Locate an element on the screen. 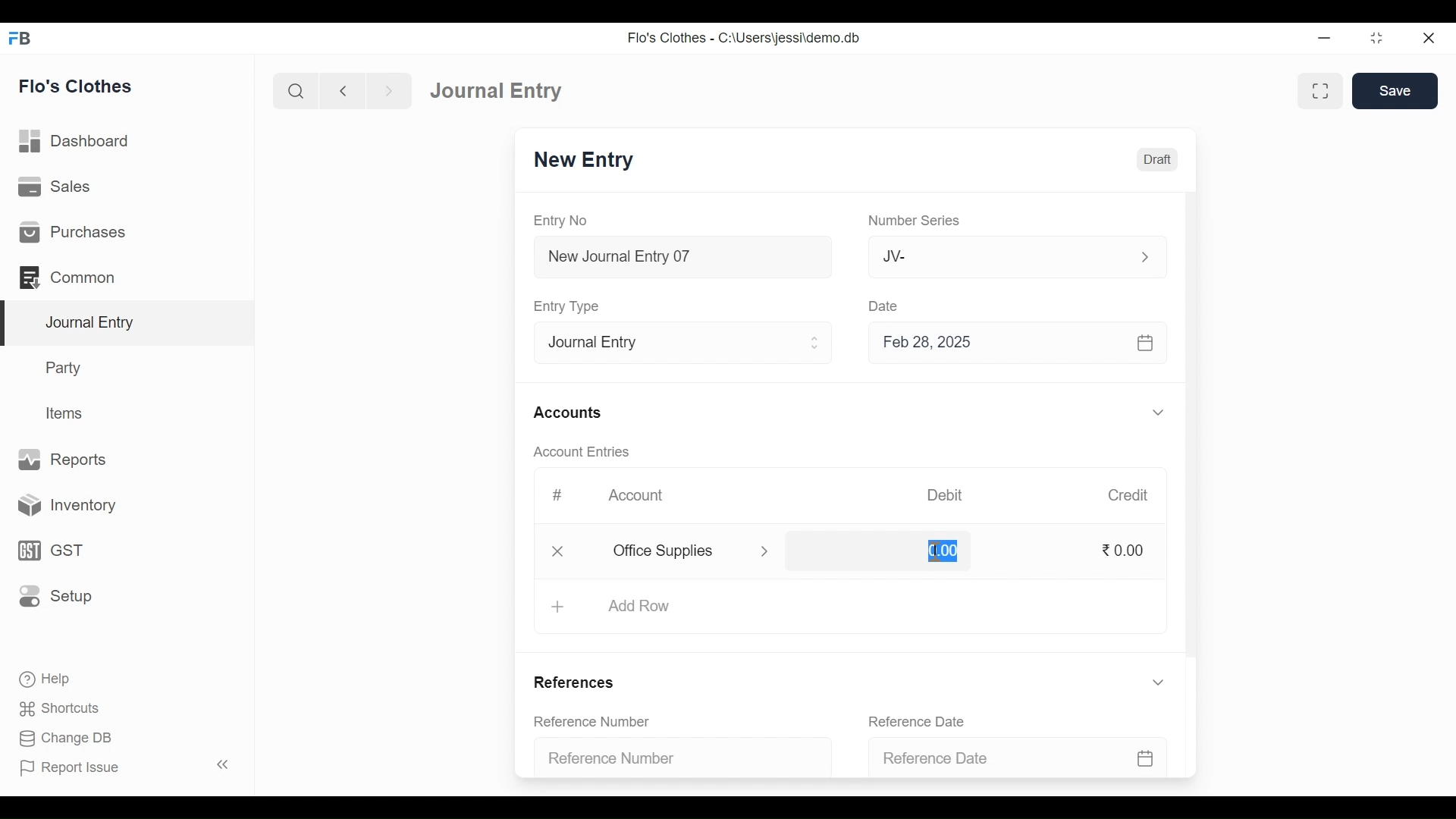 Image resolution: width=1456 pixels, height=819 pixels. Sales is located at coordinates (57, 186).